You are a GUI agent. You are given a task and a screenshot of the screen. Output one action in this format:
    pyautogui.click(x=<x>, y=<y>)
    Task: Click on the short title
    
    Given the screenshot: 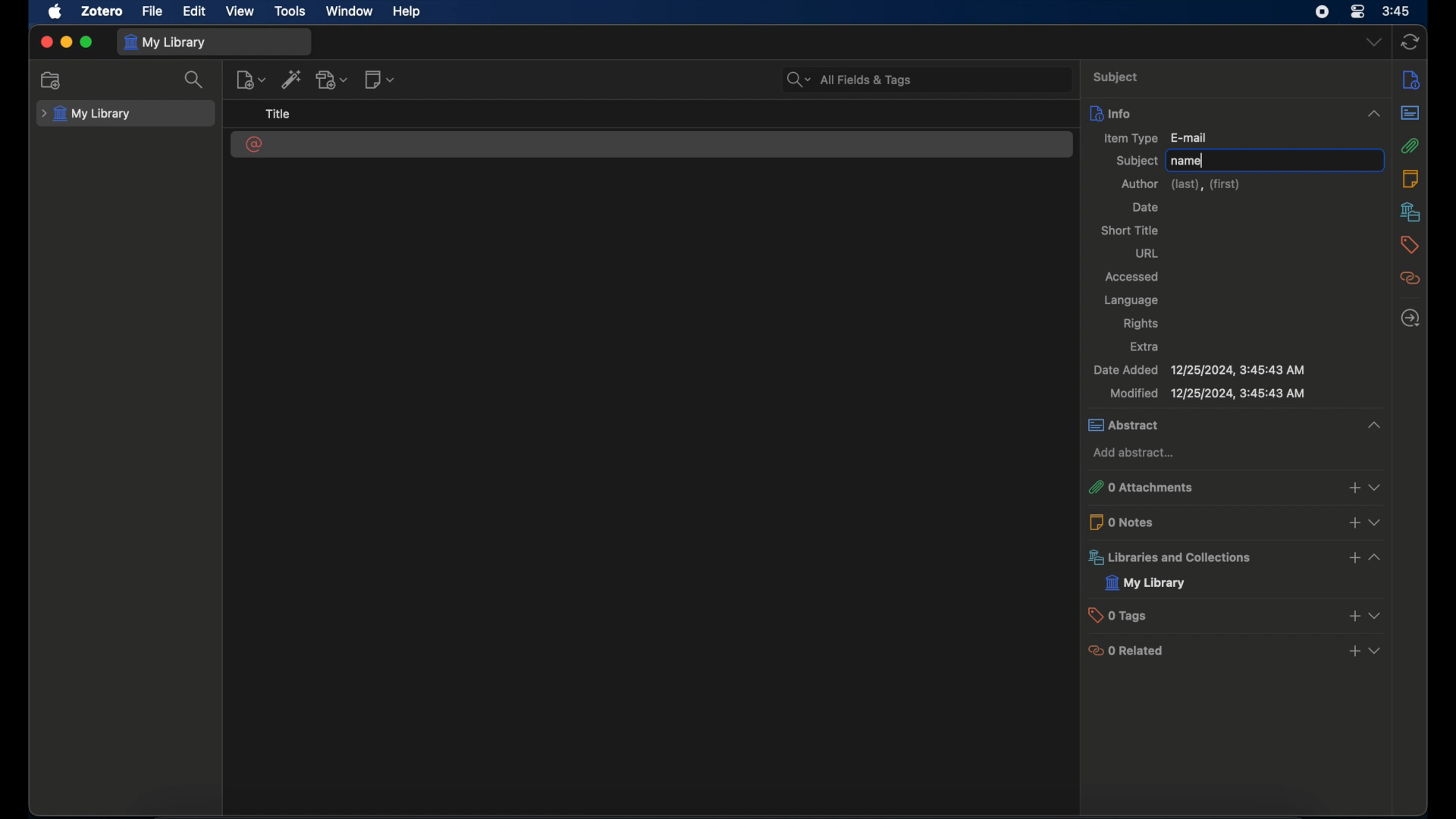 What is the action you would take?
    pyautogui.click(x=1130, y=230)
    